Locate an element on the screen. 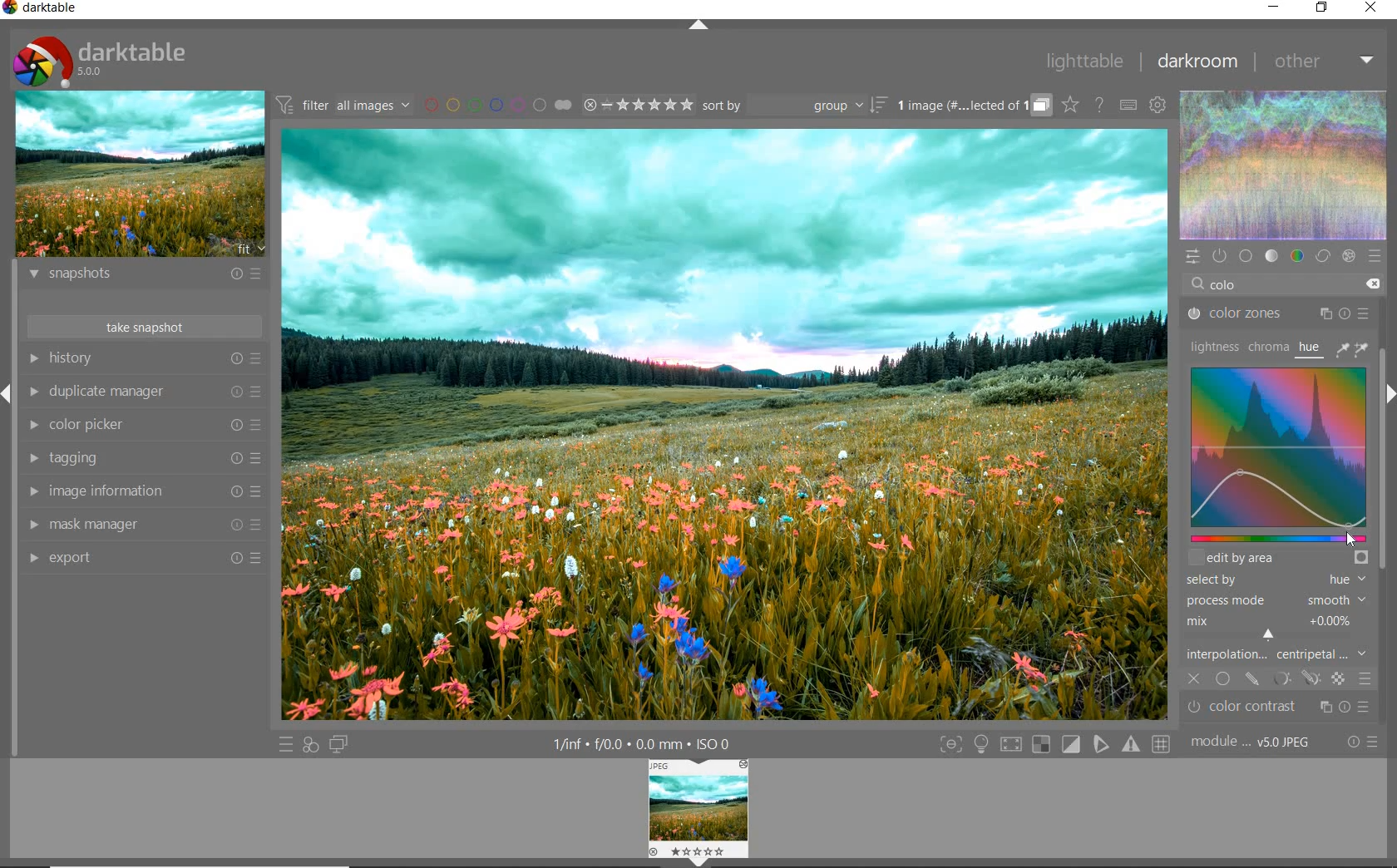  other is located at coordinates (1326, 61).